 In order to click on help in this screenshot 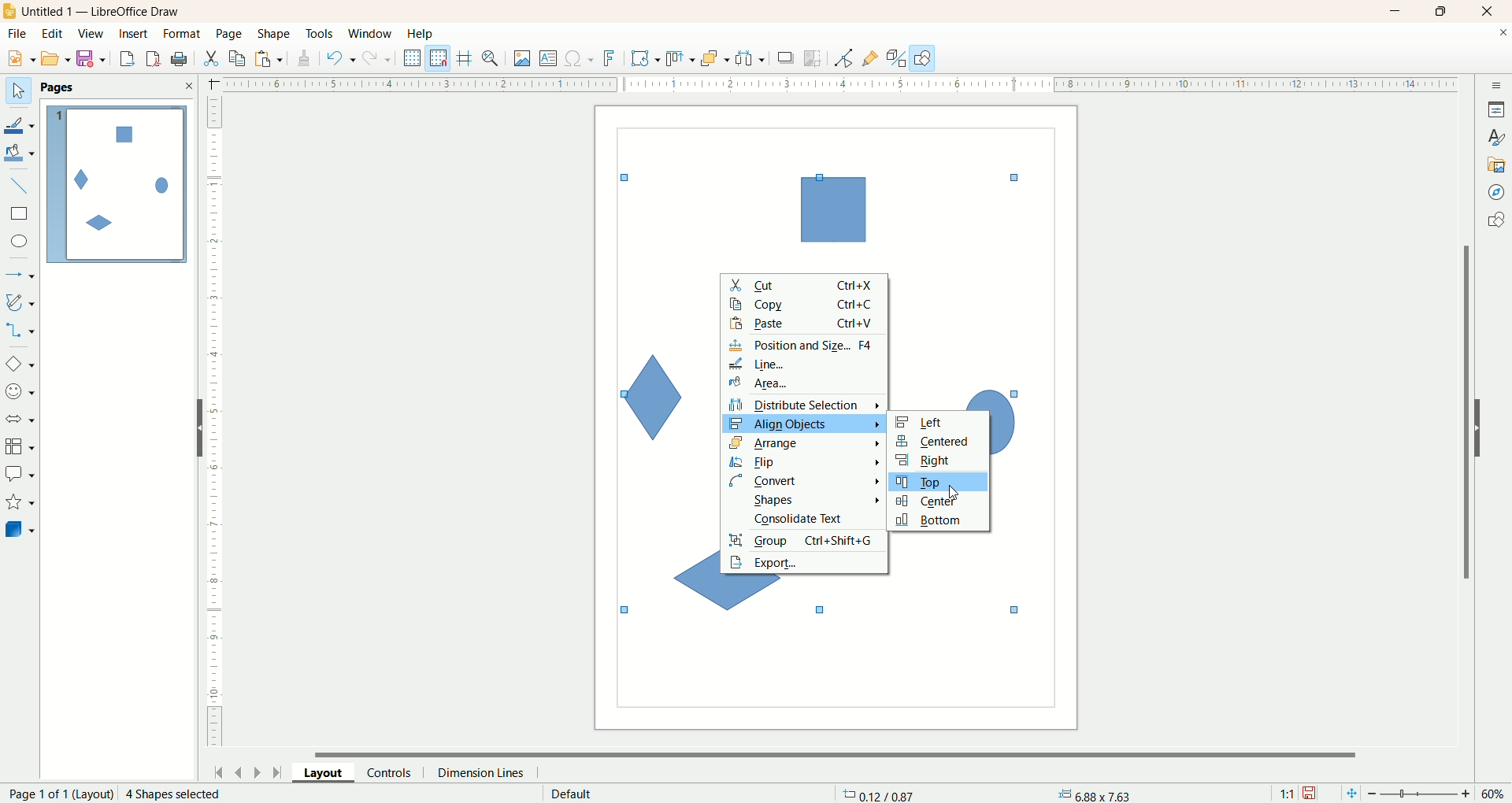, I will do `click(421, 34)`.